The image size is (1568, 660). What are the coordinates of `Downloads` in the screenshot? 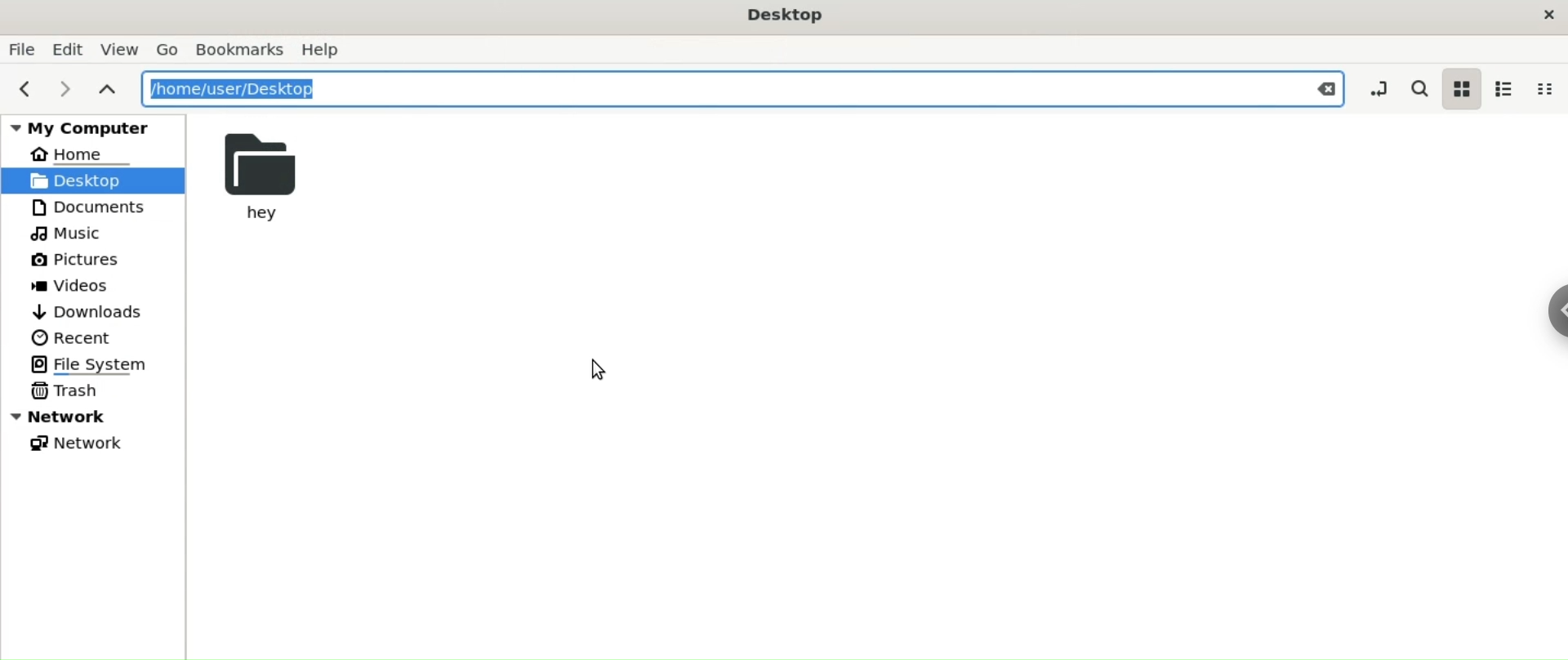 It's located at (82, 312).